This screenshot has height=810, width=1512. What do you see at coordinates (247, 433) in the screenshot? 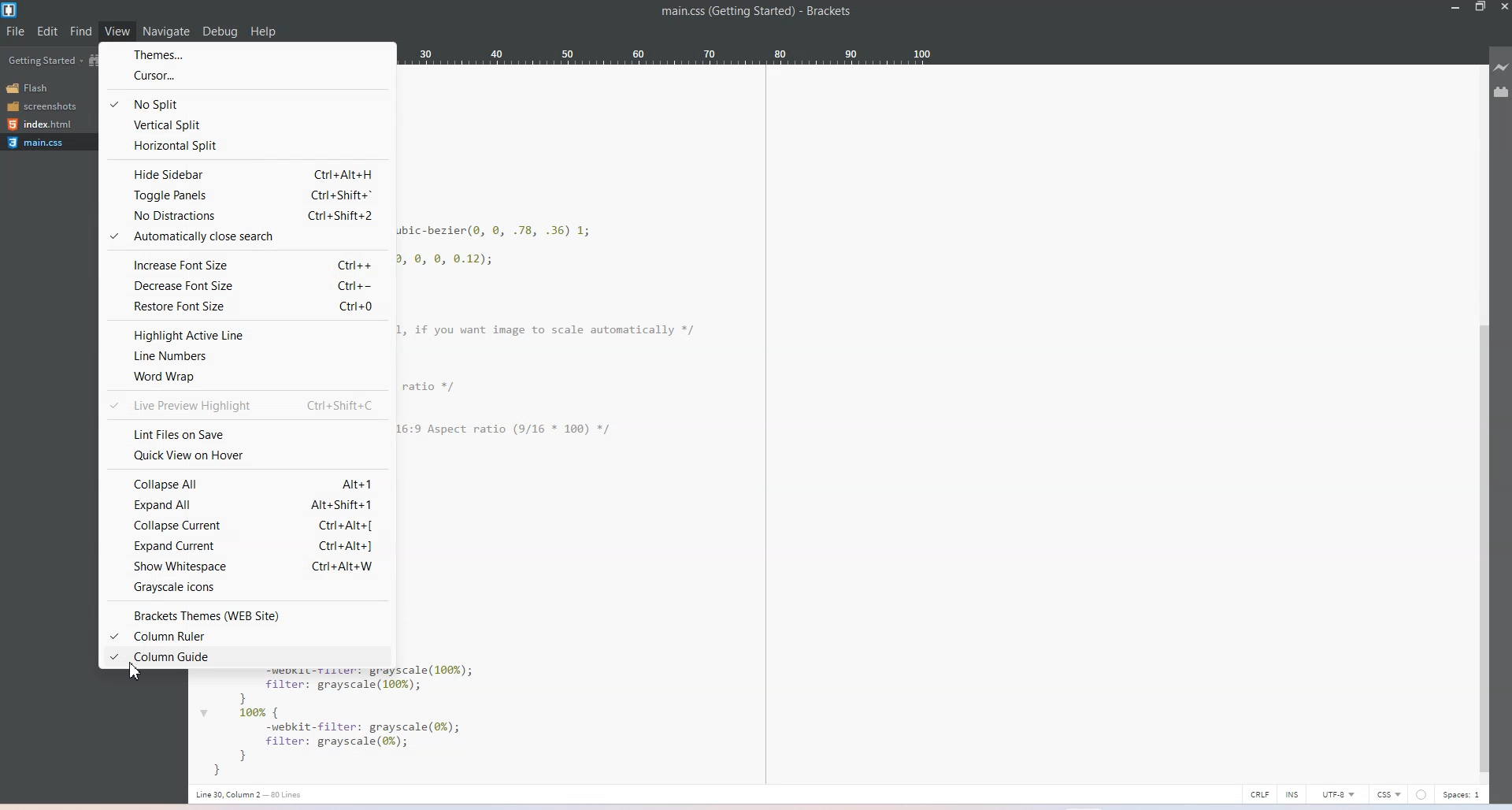
I see `Live files on save` at bounding box center [247, 433].